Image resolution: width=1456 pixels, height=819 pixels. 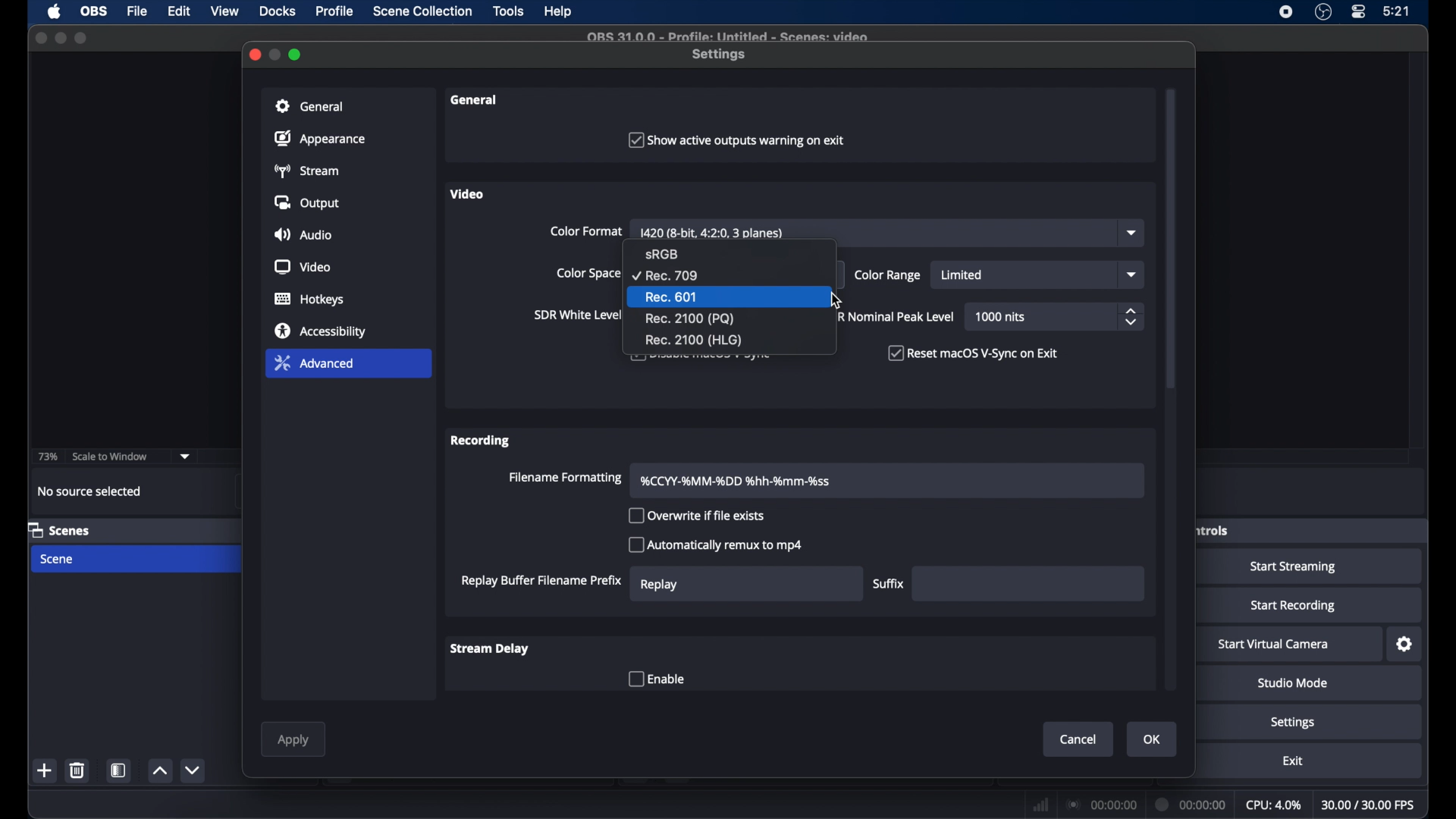 I want to click on enable, so click(x=657, y=678).